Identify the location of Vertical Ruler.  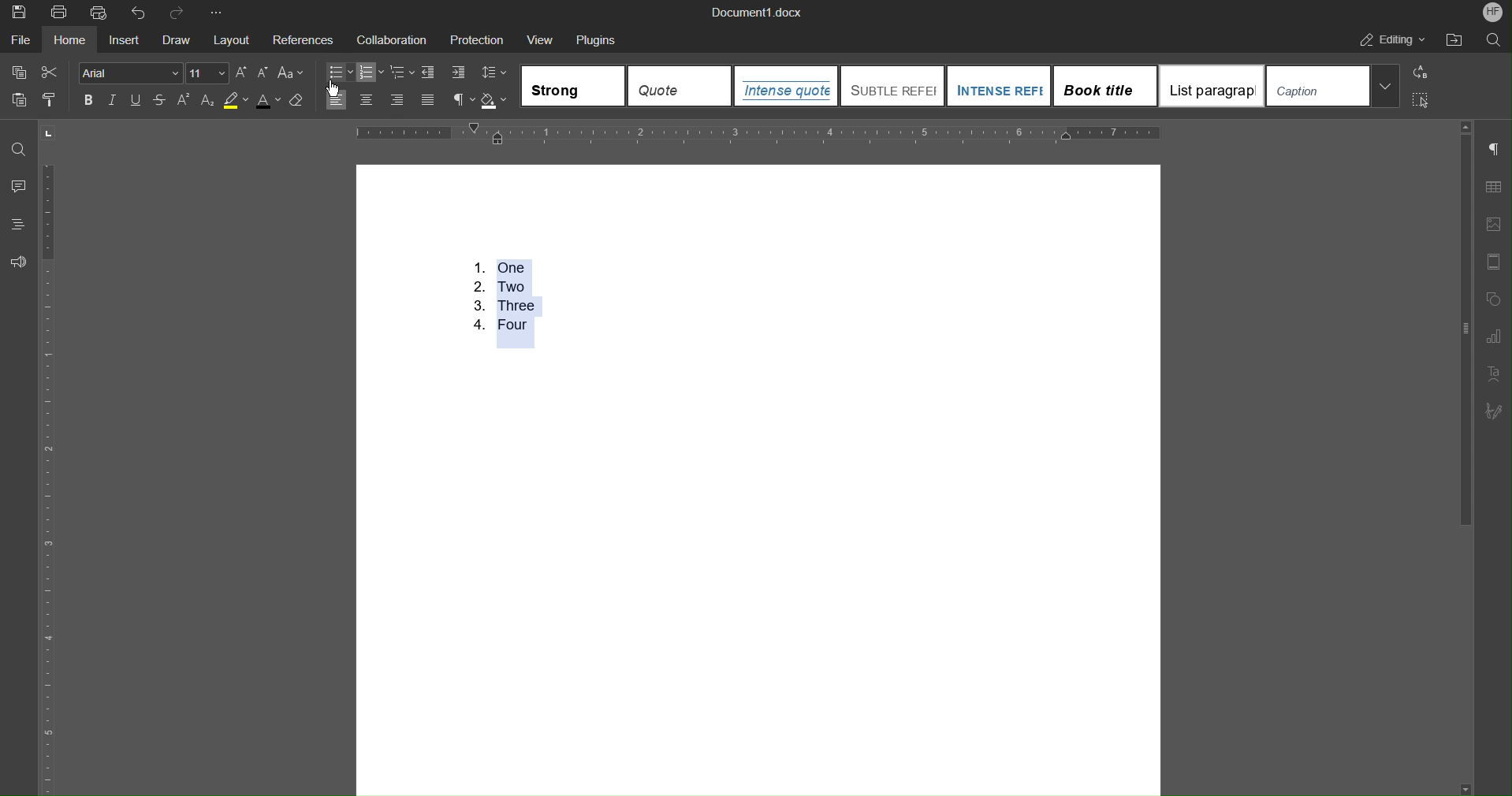
(47, 476).